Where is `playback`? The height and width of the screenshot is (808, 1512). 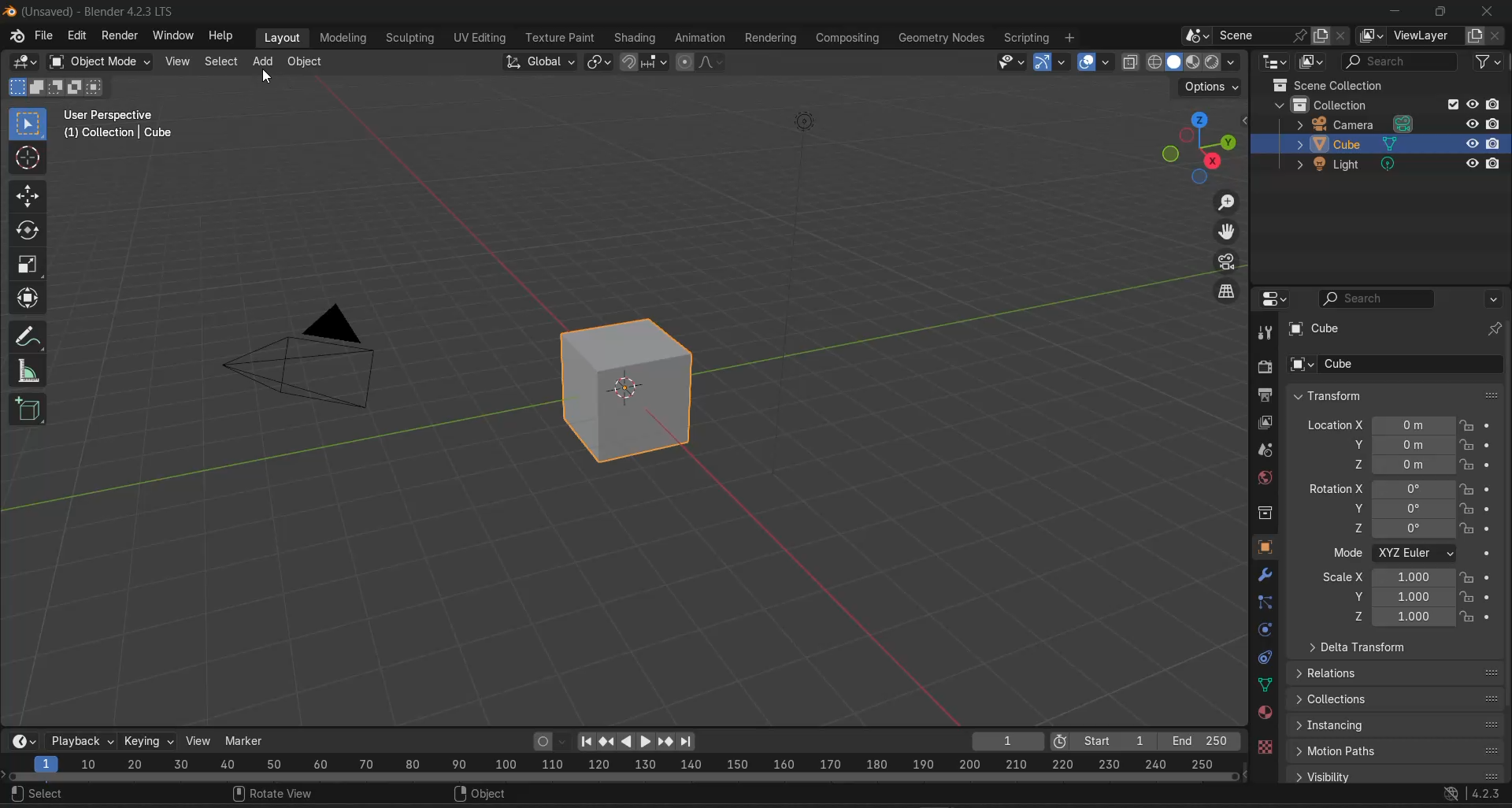 playback is located at coordinates (83, 740).